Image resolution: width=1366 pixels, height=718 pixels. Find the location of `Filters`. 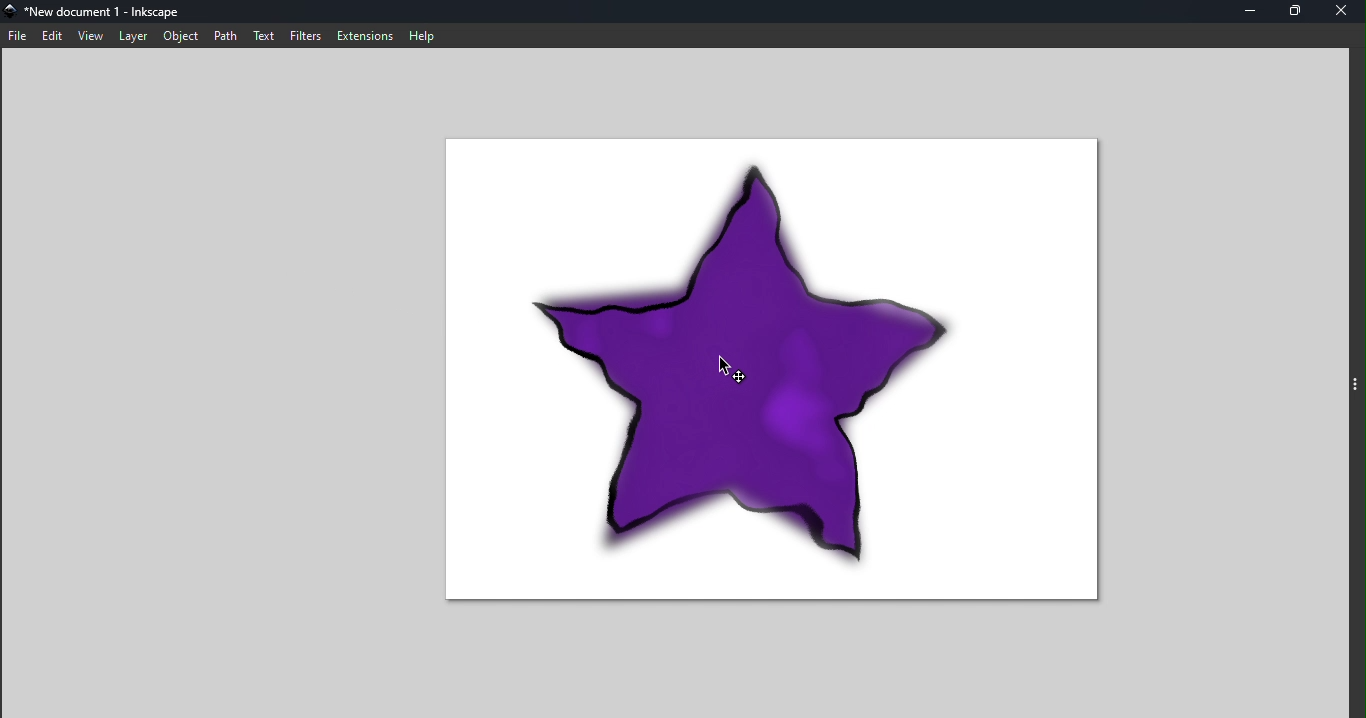

Filters is located at coordinates (304, 35).